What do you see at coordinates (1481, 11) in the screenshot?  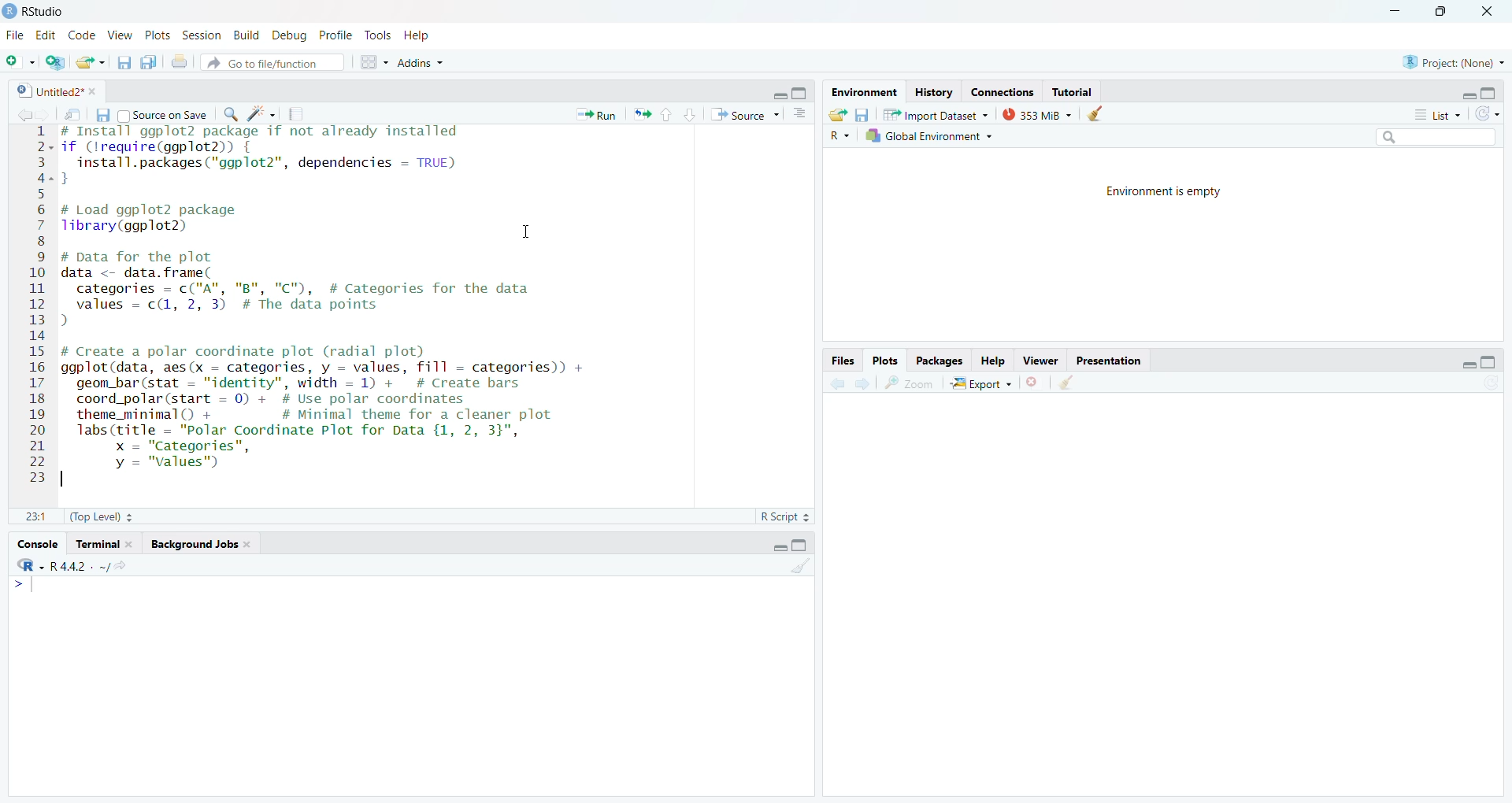 I see `close` at bounding box center [1481, 11].